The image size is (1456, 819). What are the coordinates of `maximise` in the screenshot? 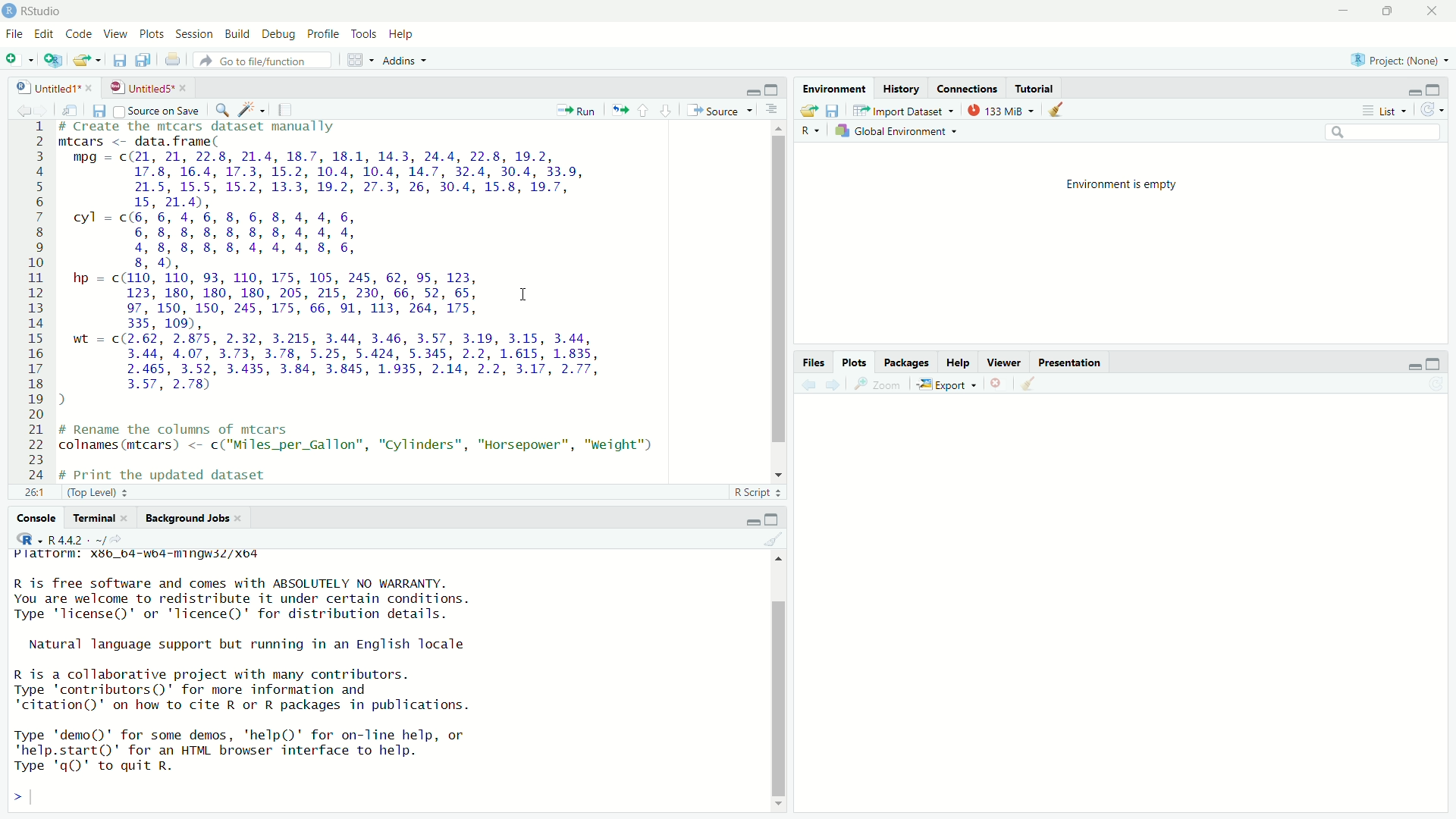 It's located at (1389, 11).